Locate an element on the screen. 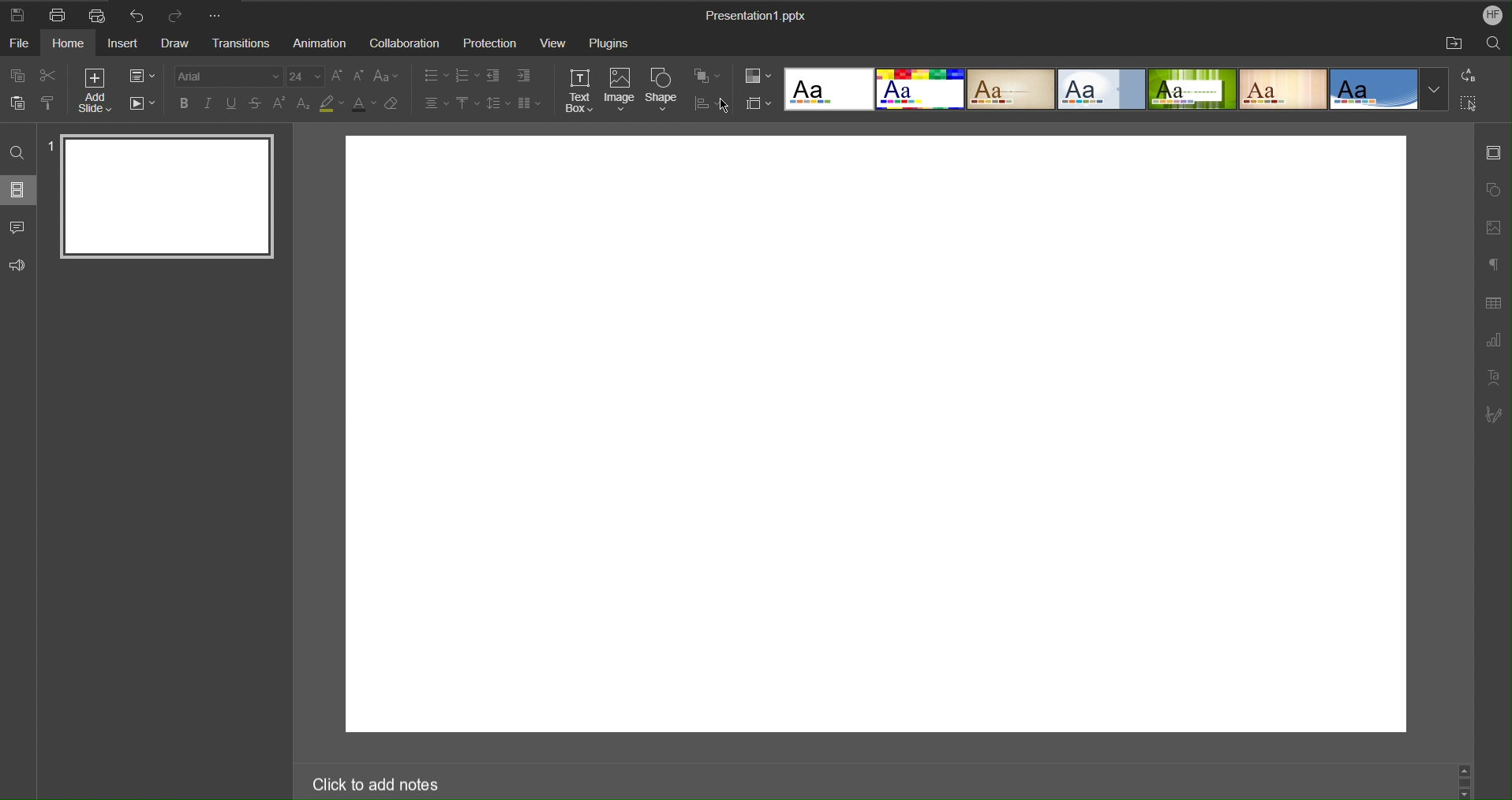  View is located at coordinates (556, 41).